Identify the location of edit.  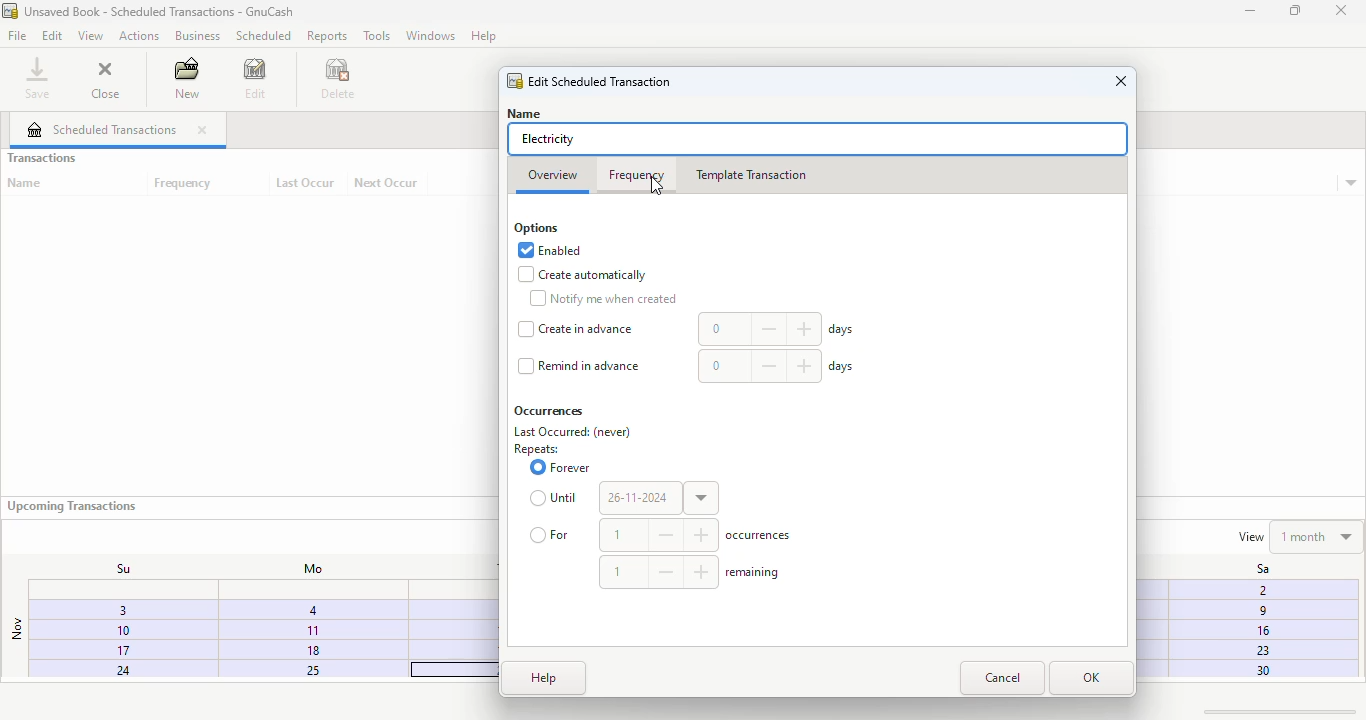
(256, 78).